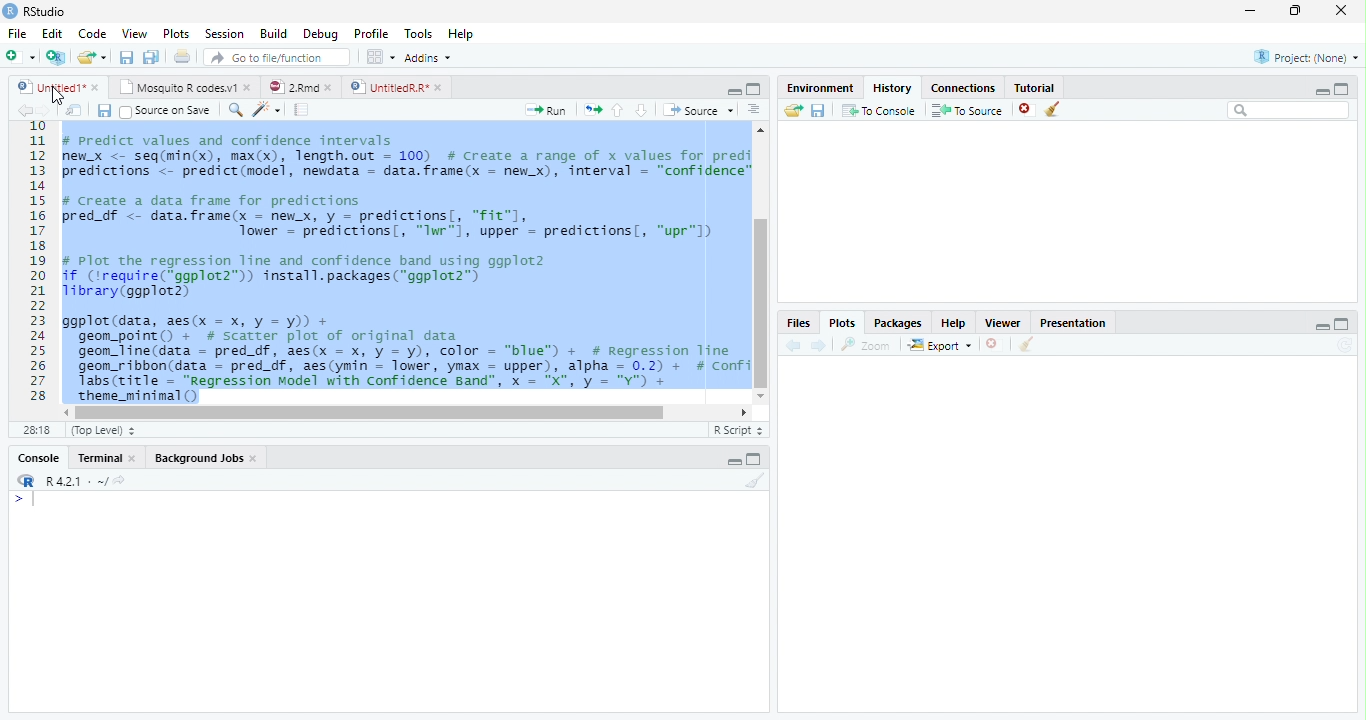 The height and width of the screenshot is (720, 1366). Describe the element at coordinates (235, 112) in the screenshot. I see `Zoom` at that location.